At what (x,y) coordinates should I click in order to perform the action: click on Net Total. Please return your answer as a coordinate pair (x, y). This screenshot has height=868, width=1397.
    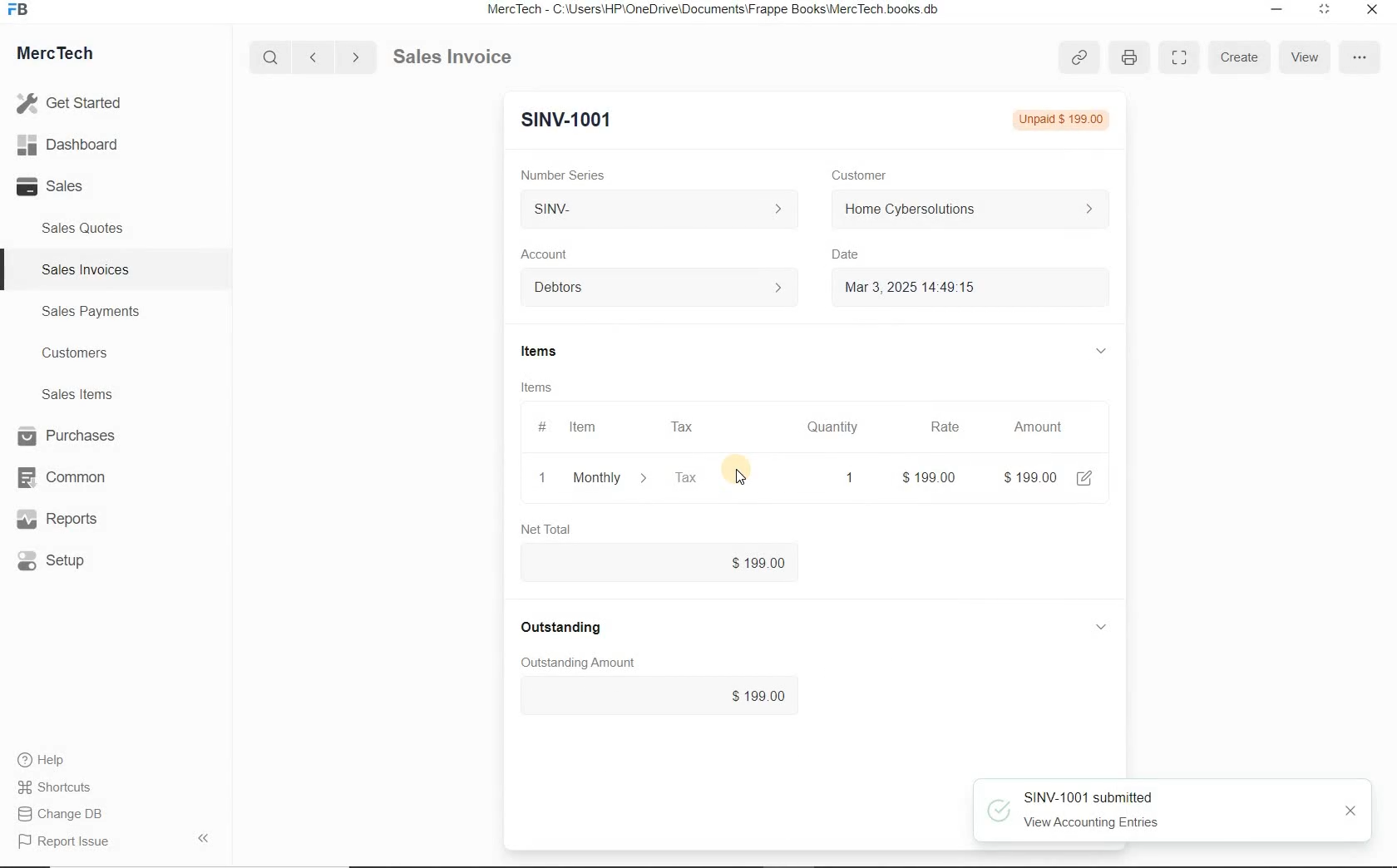
    Looking at the image, I should click on (548, 530).